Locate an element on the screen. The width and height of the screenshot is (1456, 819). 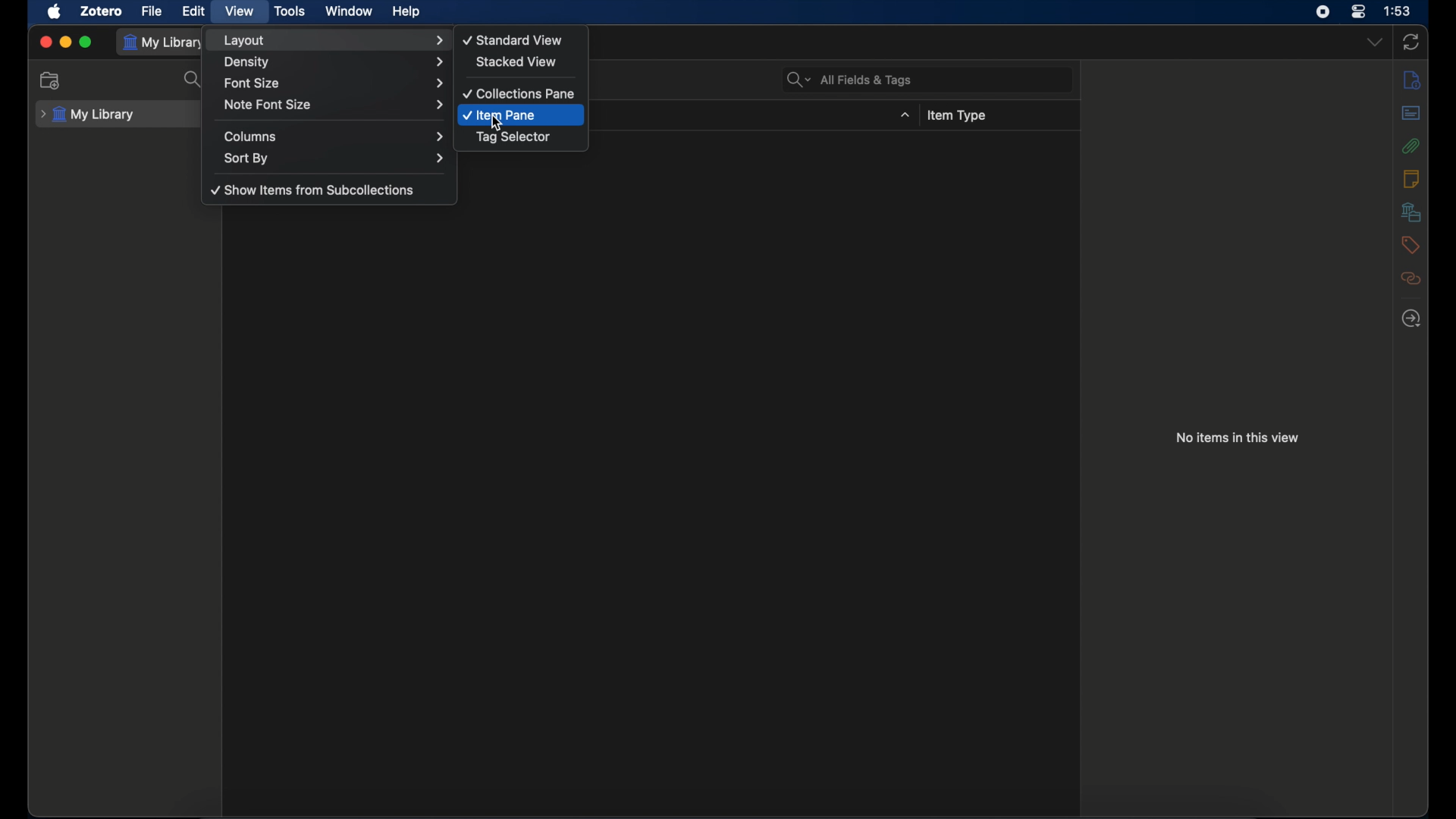
screen recorder is located at coordinates (1323, 11).